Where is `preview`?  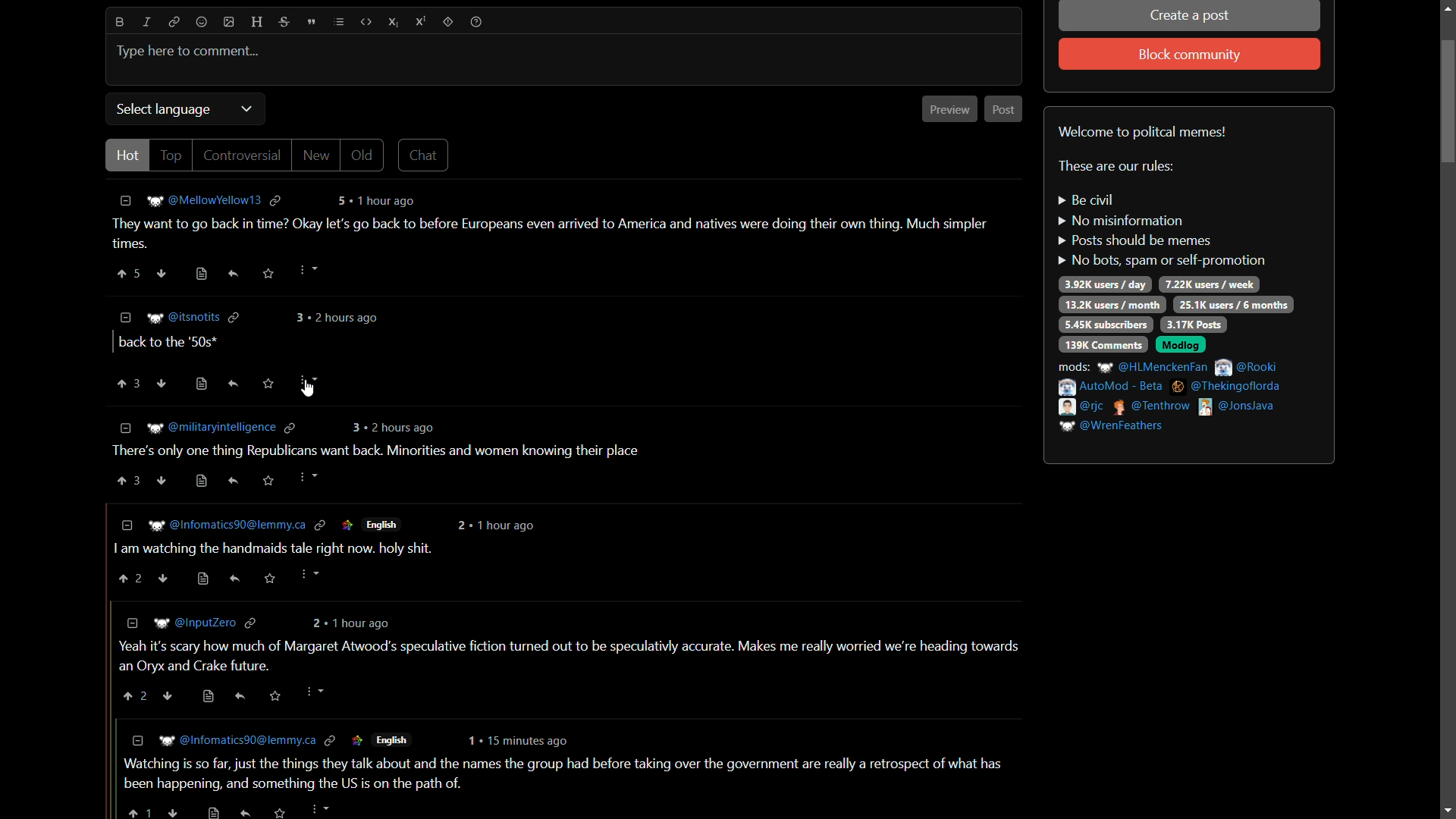 preview is located at coordinates (950, 109).